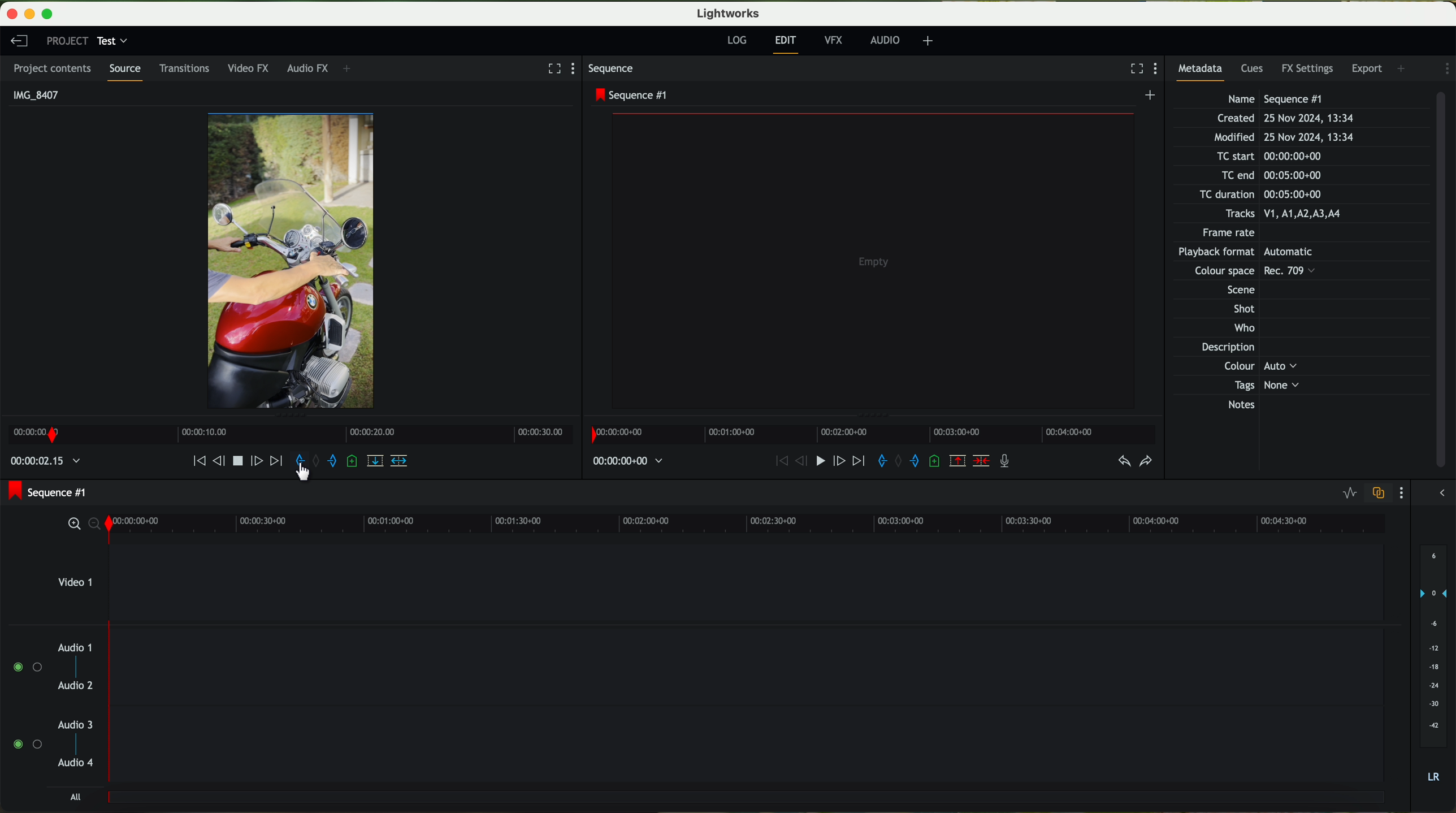 Image resolution: width=1456 pixels, height=813 pixels. What do you see at coordinates (1267, 157) in the screenshot?
I see `TC start` at bounding box center [1267, 157].